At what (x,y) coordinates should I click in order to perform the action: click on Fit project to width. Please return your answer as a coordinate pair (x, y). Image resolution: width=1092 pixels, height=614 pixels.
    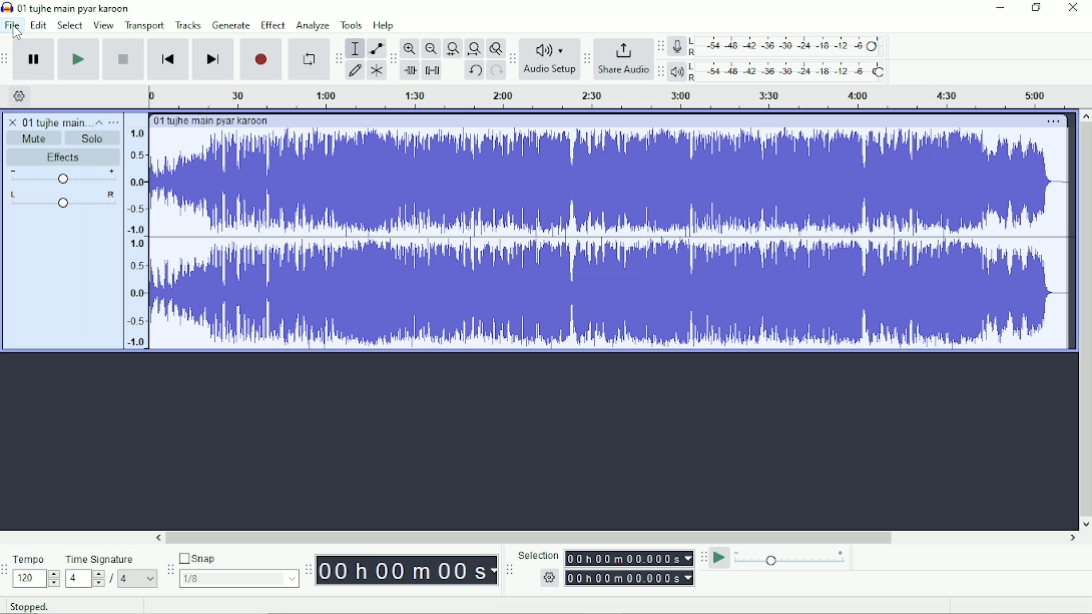
    Looking at the image, I should click on (475, 48).